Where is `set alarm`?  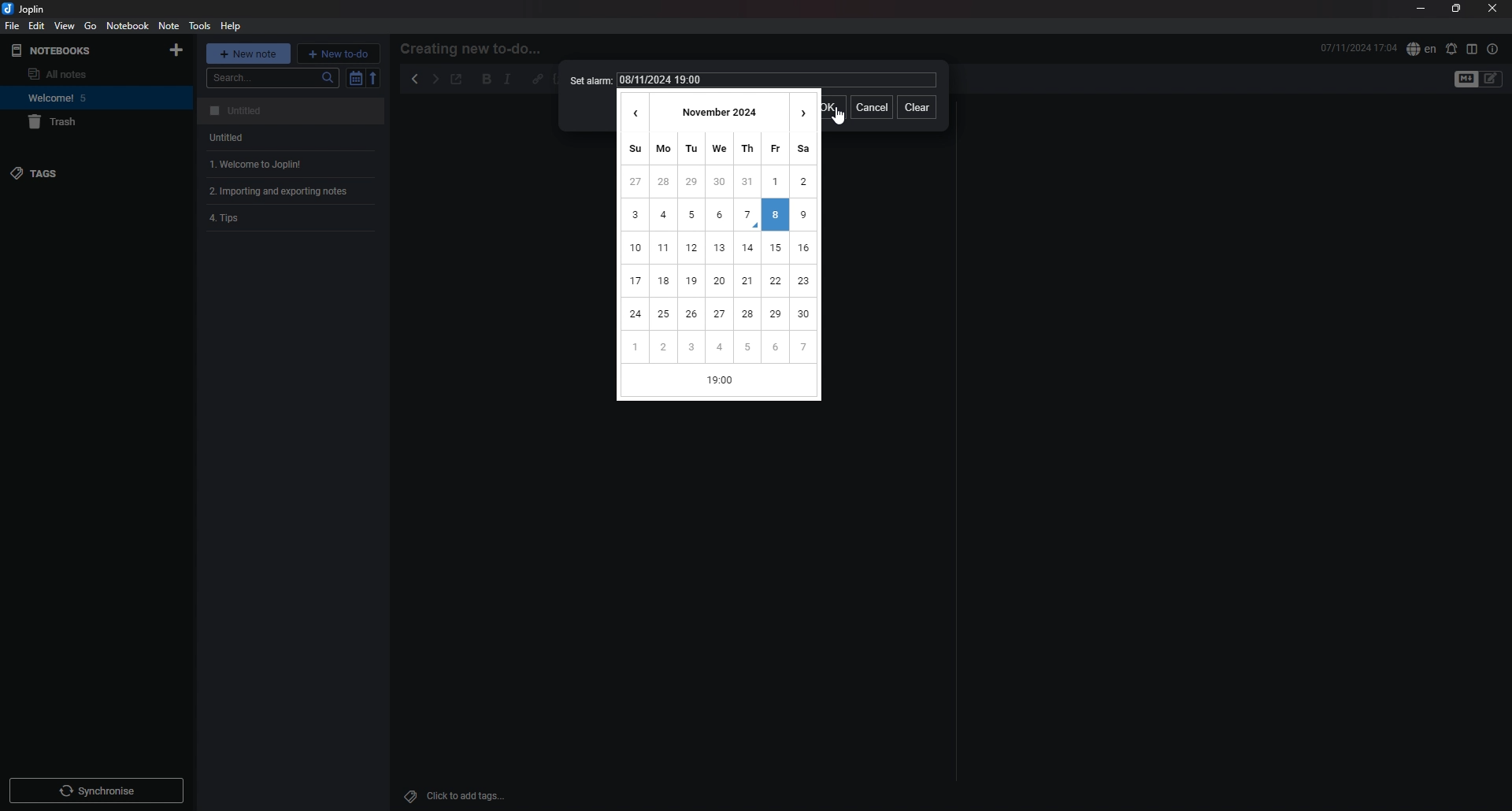
set alarm is located at coordinates (588, 80).